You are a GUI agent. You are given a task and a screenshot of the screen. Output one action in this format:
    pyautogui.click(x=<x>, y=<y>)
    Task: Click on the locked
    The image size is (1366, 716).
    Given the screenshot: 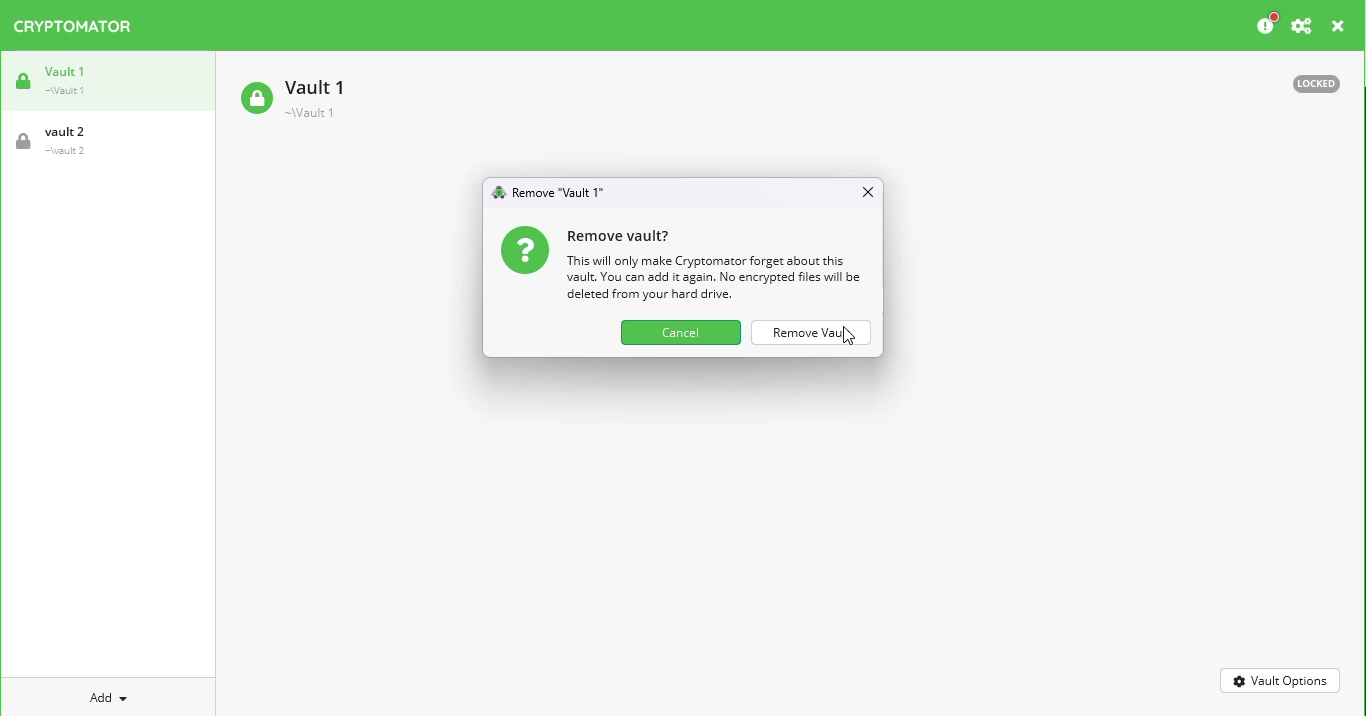 What is the action you would take?
    pyautogui.click(x=1316, y=84)
    